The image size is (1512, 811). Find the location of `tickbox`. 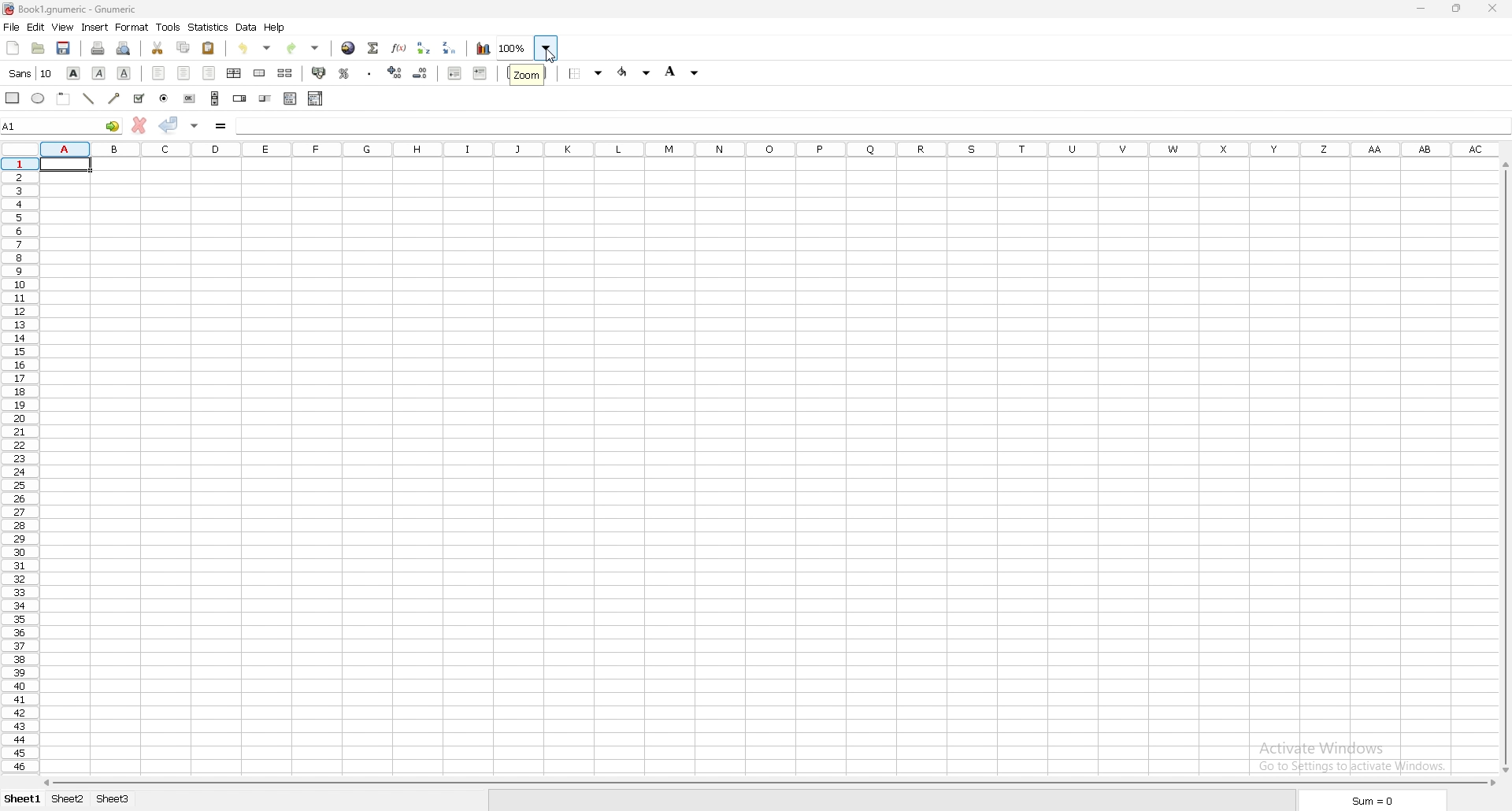

tickbox is located at coordinates (139, 98).